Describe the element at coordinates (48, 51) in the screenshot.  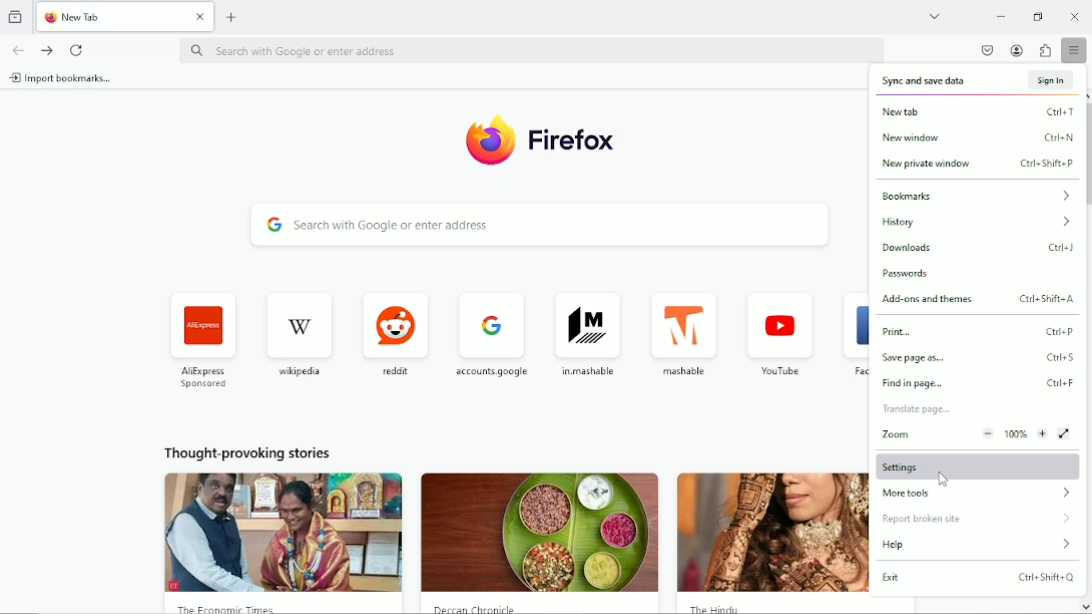
I see `go forward` at that location.